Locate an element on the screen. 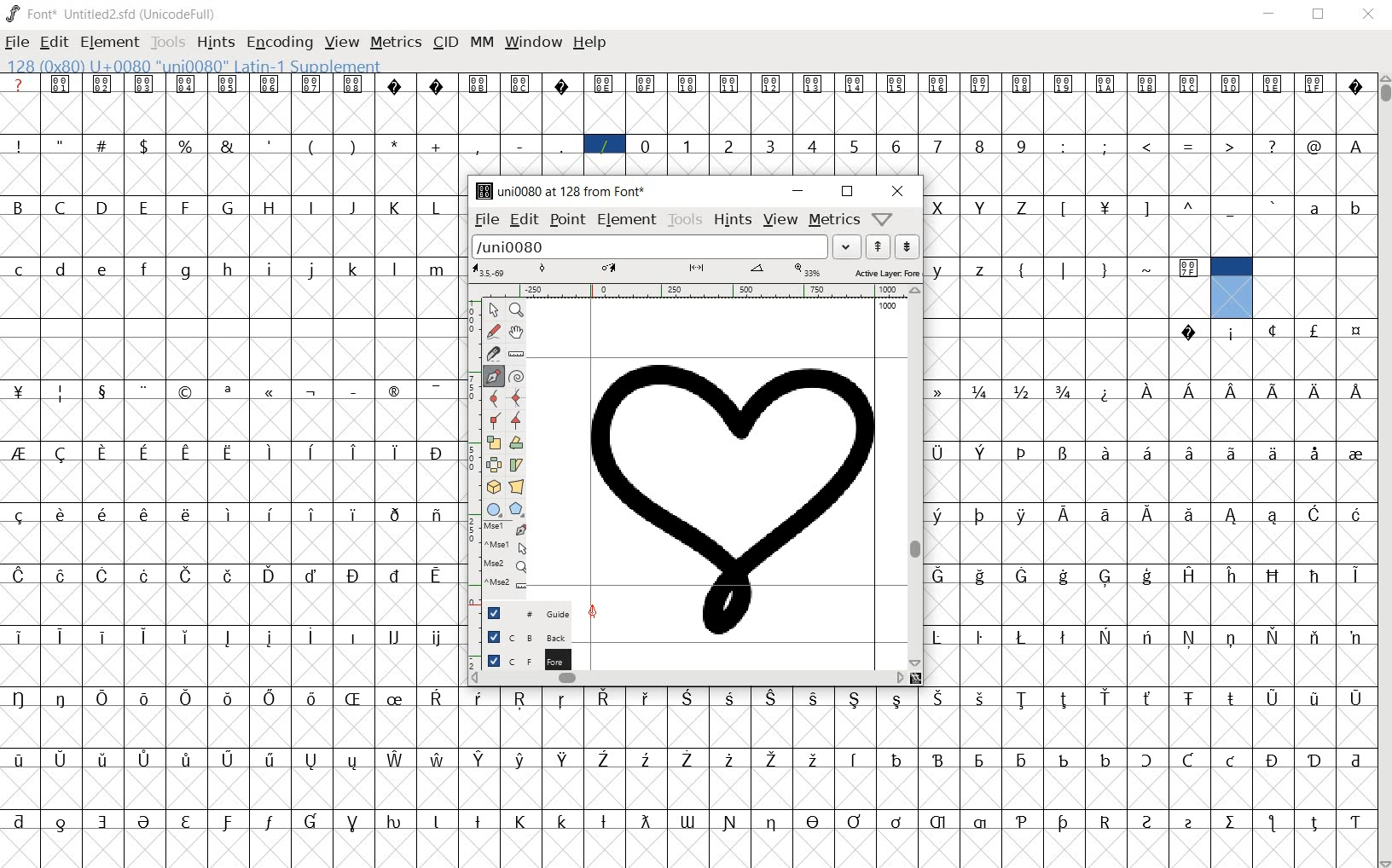  glyph is located at coordinates (729, 147).